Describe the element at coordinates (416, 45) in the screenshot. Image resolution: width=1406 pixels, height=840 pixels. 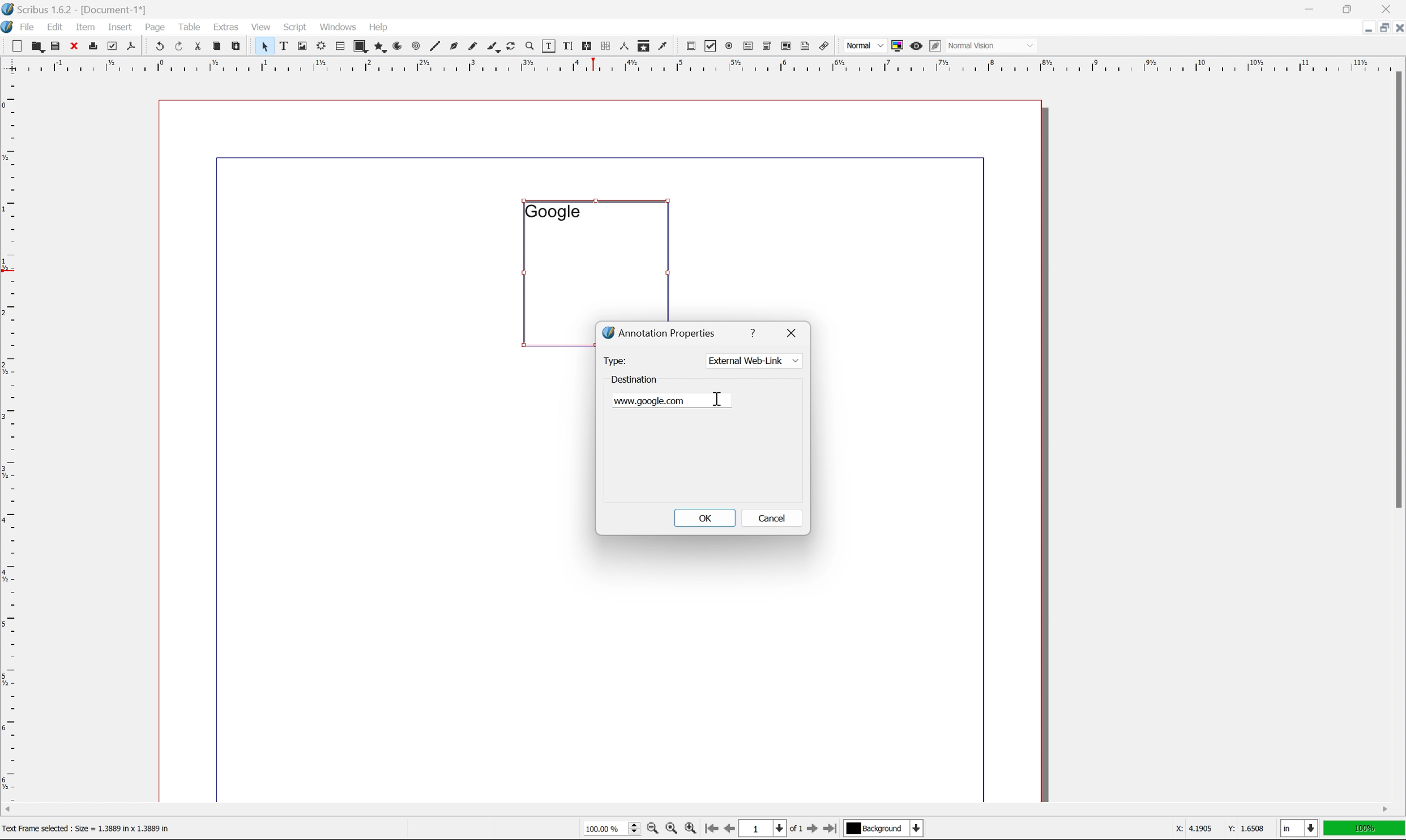
I see `spiral` at that location.